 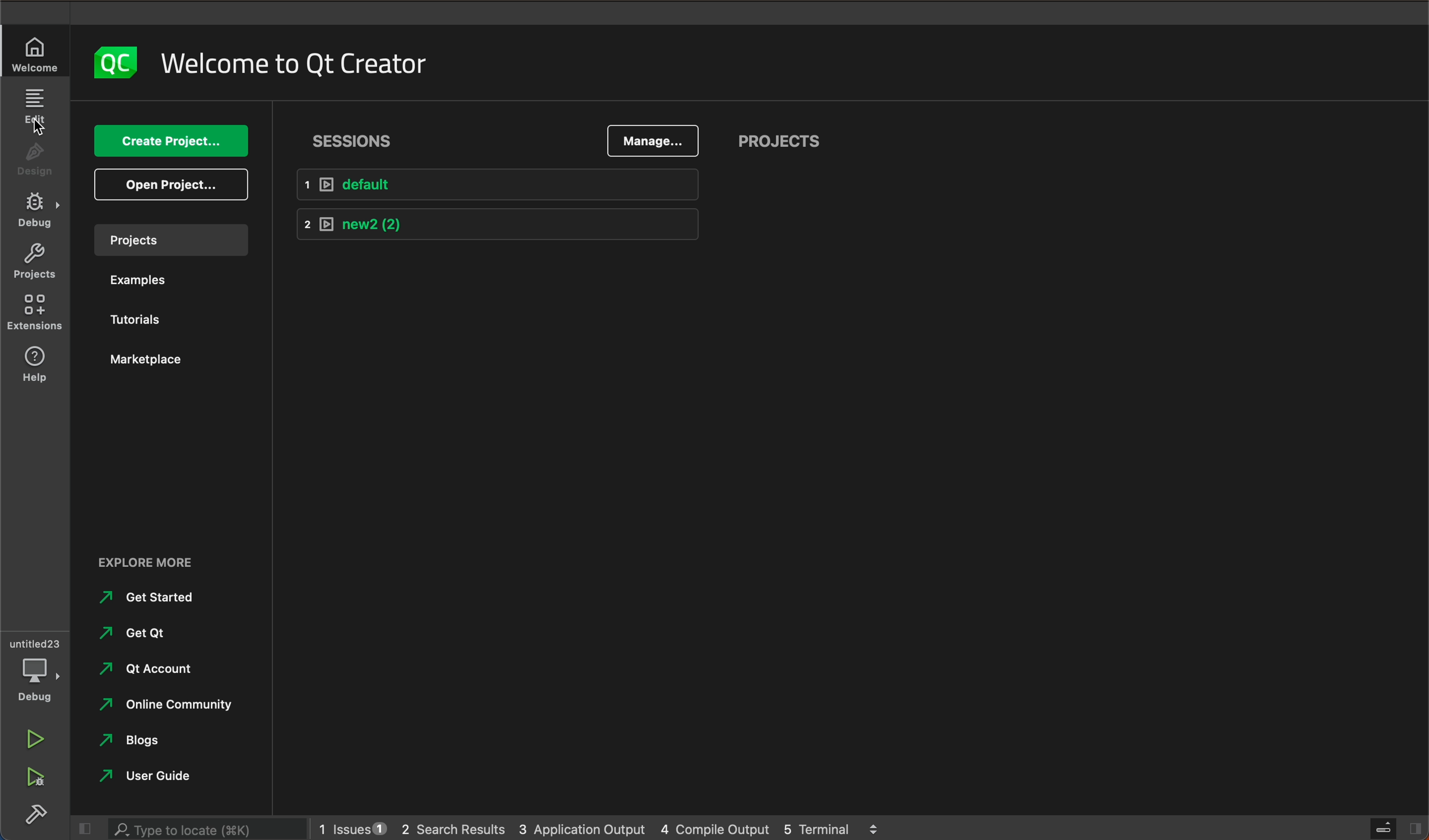 What do you see at coordinates (34, 264) in the screenshot?
I see `projects` at bounding box center [34, 264].